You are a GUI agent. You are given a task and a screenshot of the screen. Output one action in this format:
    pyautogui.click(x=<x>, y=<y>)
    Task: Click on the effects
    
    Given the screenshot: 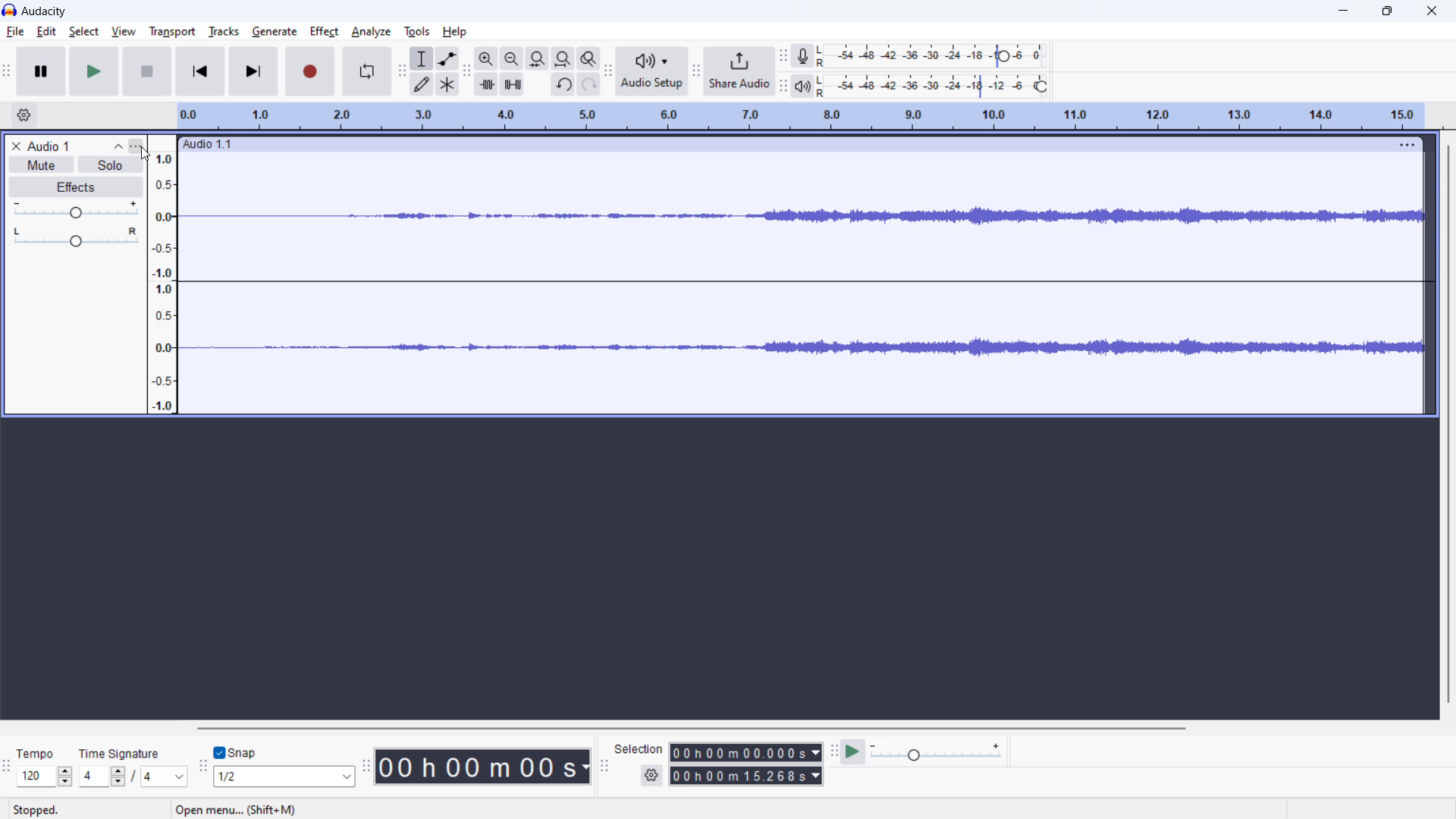 What is the action you would take?
    pyautogui.click(x=75, y=187)
    